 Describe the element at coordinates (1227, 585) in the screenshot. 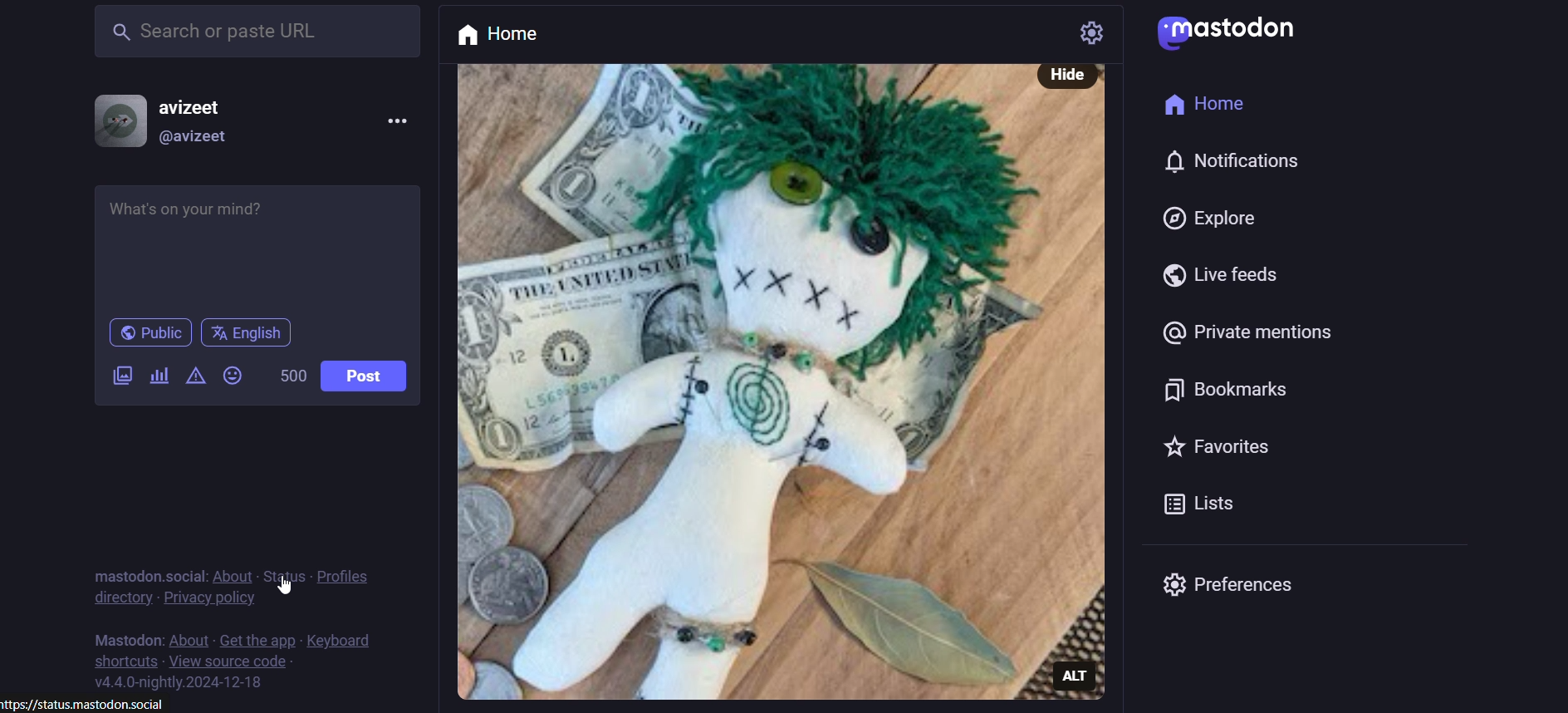

I see `preferences` at that location.